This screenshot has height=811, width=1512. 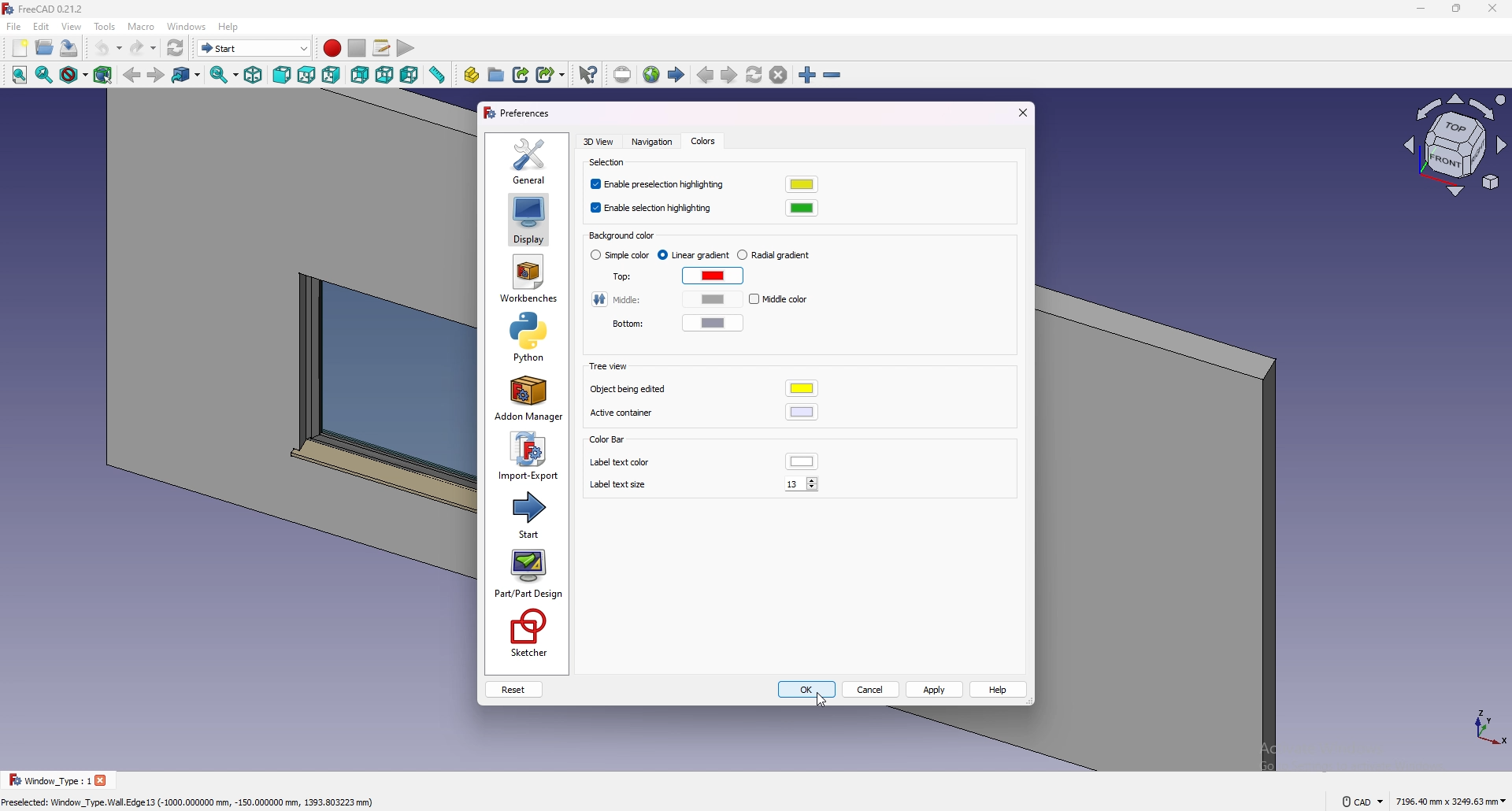 I want to click on stop loading, so click(x=779, y=76).